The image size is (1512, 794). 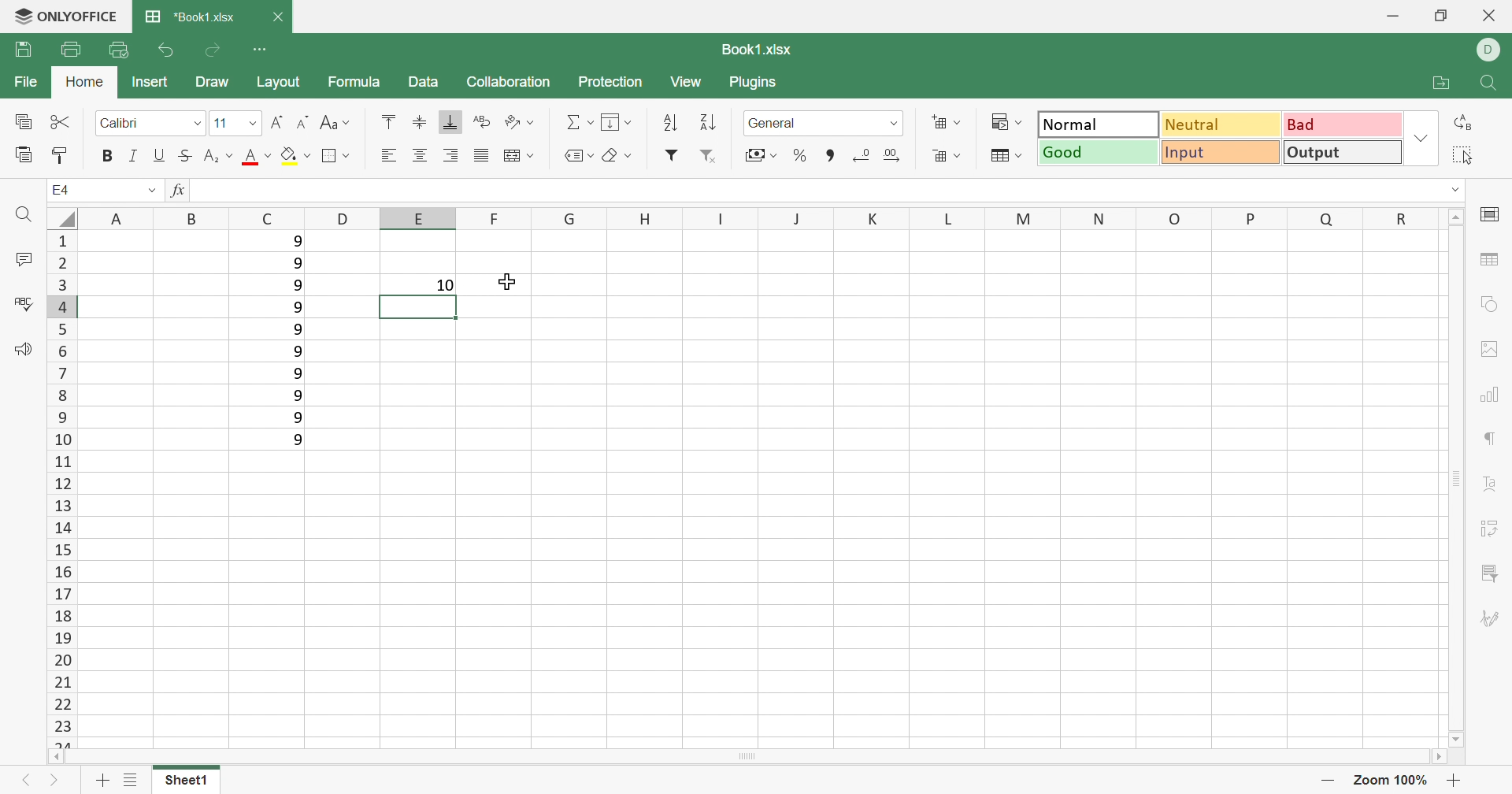 What do you see at coordinates (615, 155) in the screenshot?
I see `                                                                                                                                                                                                                                                                                                                                                                                                                                                                                                                                                                                    ` at bounding box center [615, 155].